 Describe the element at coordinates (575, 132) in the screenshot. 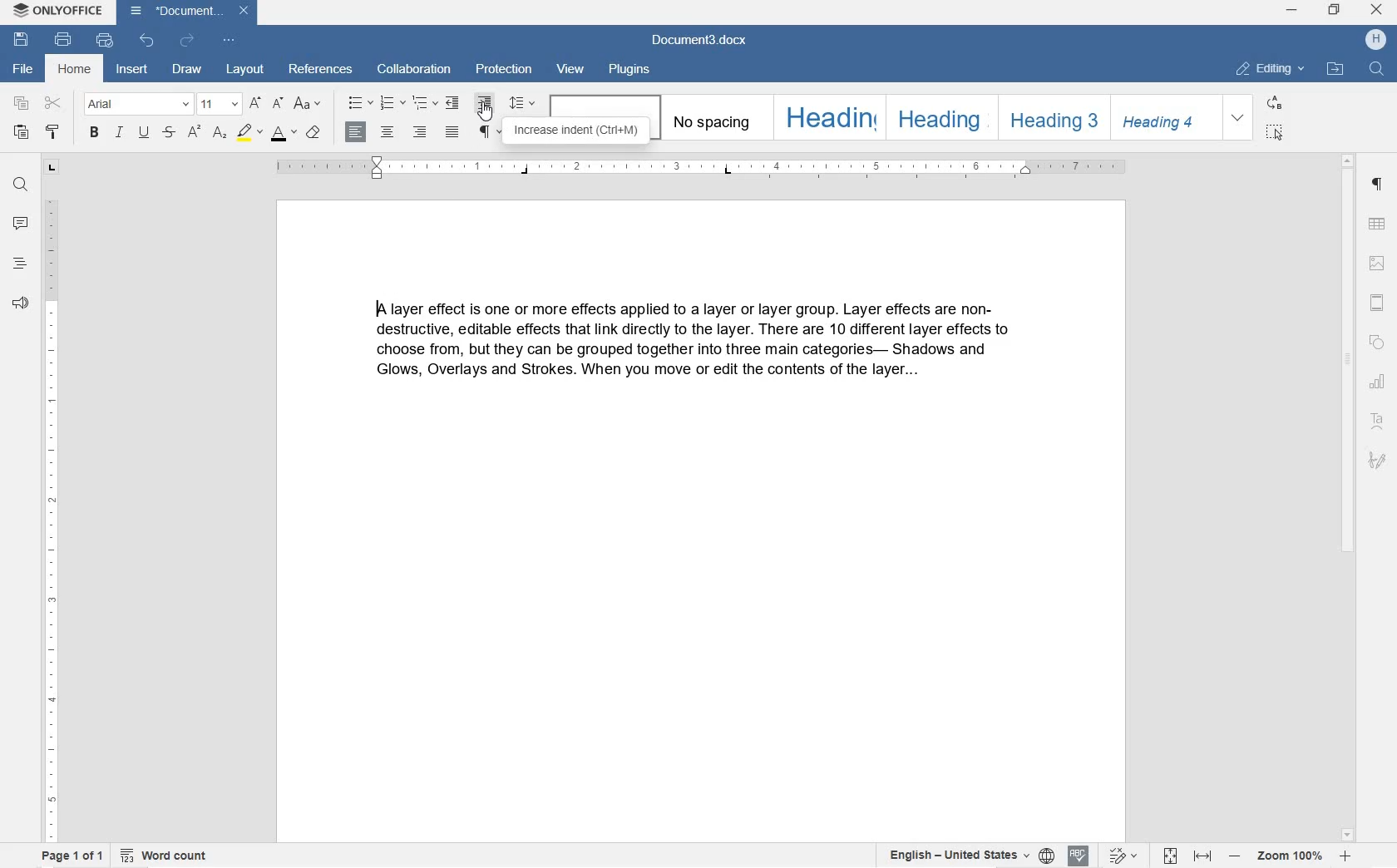

I see `INCREASE INDENT` at that location.